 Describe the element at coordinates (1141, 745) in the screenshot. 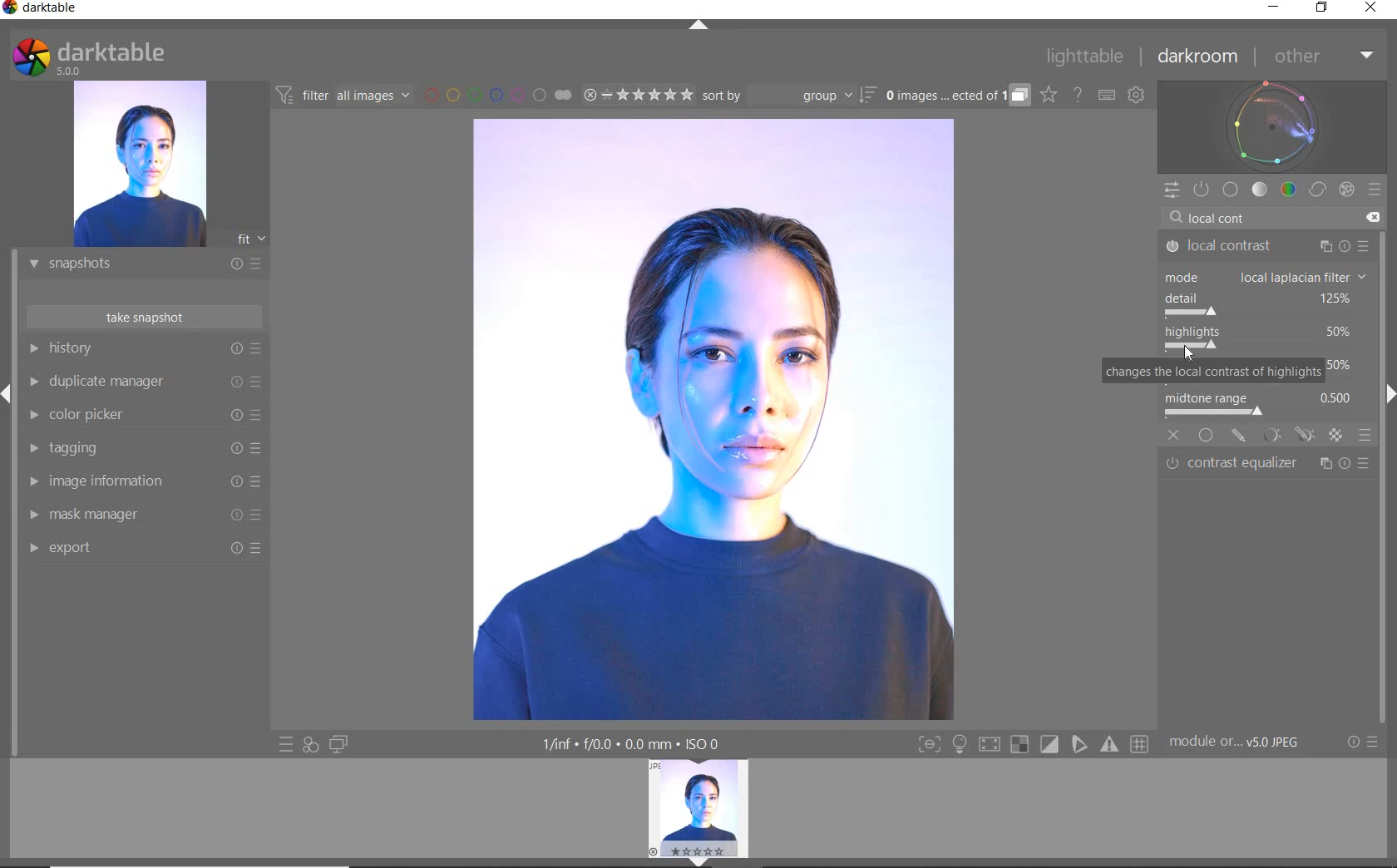

I see `Button` at that location.